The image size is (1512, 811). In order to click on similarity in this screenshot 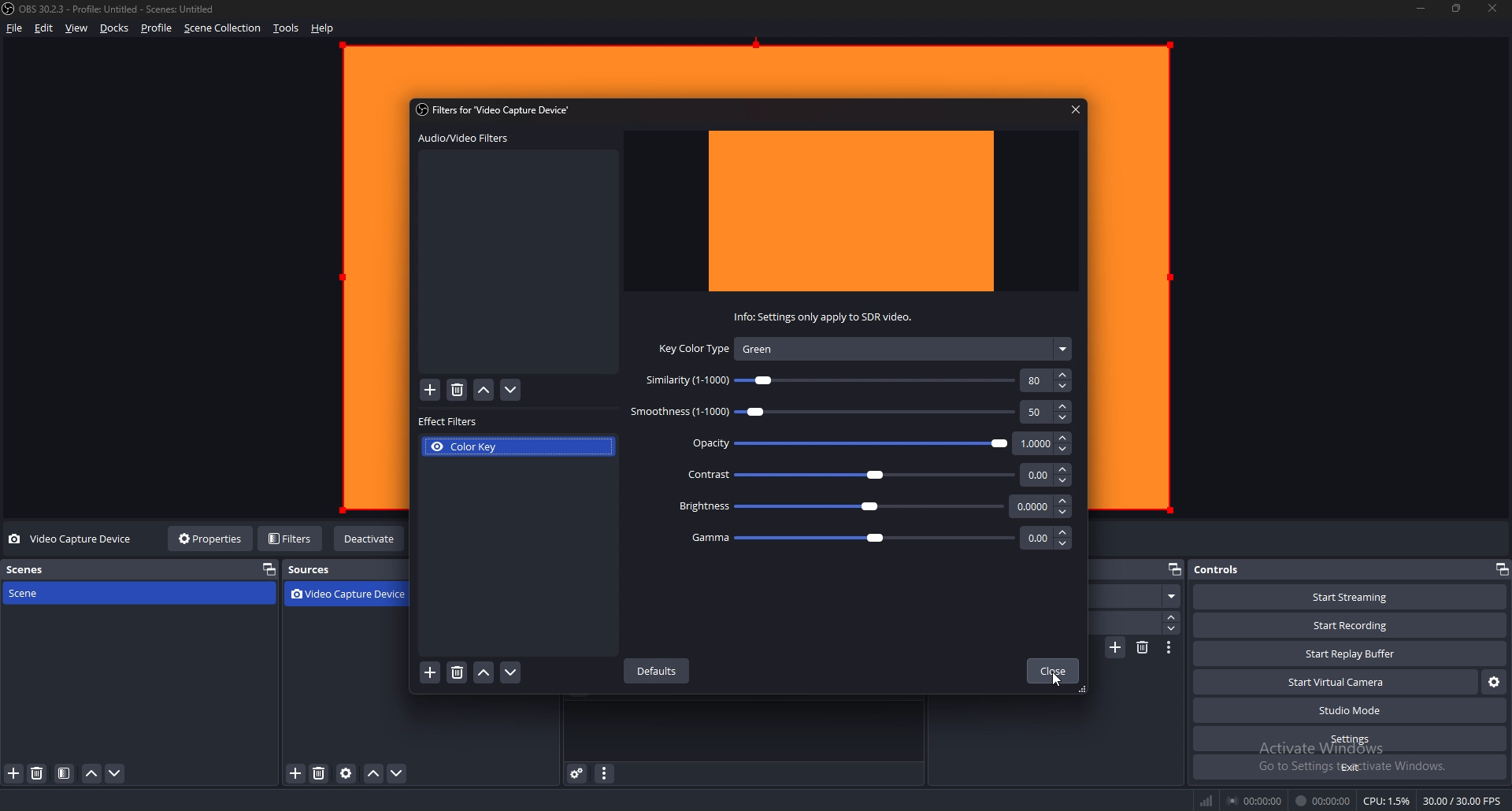, I will do `click(854, 380)`.